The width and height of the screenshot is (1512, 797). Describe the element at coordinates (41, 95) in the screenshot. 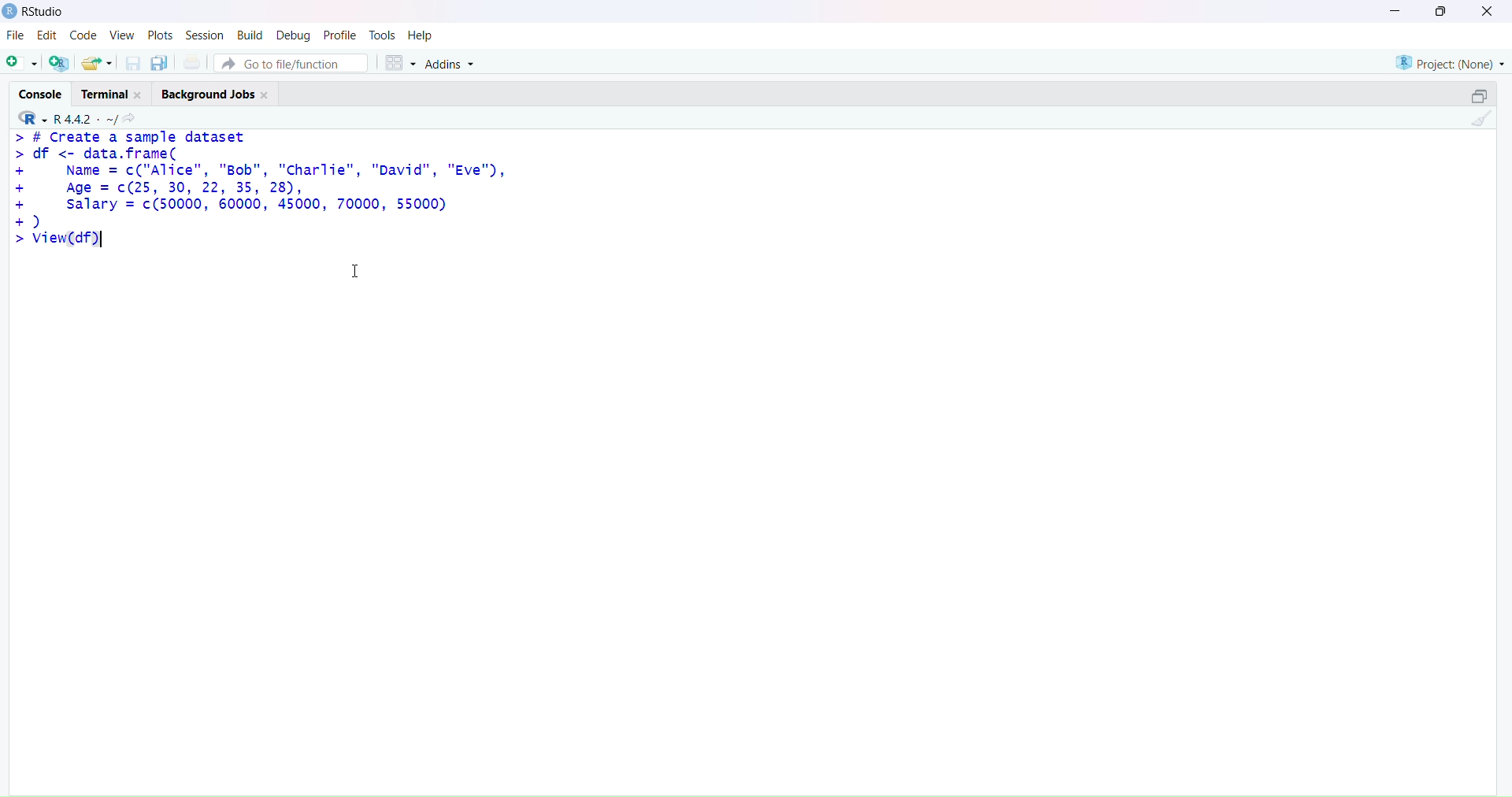

I see `console` at that location.